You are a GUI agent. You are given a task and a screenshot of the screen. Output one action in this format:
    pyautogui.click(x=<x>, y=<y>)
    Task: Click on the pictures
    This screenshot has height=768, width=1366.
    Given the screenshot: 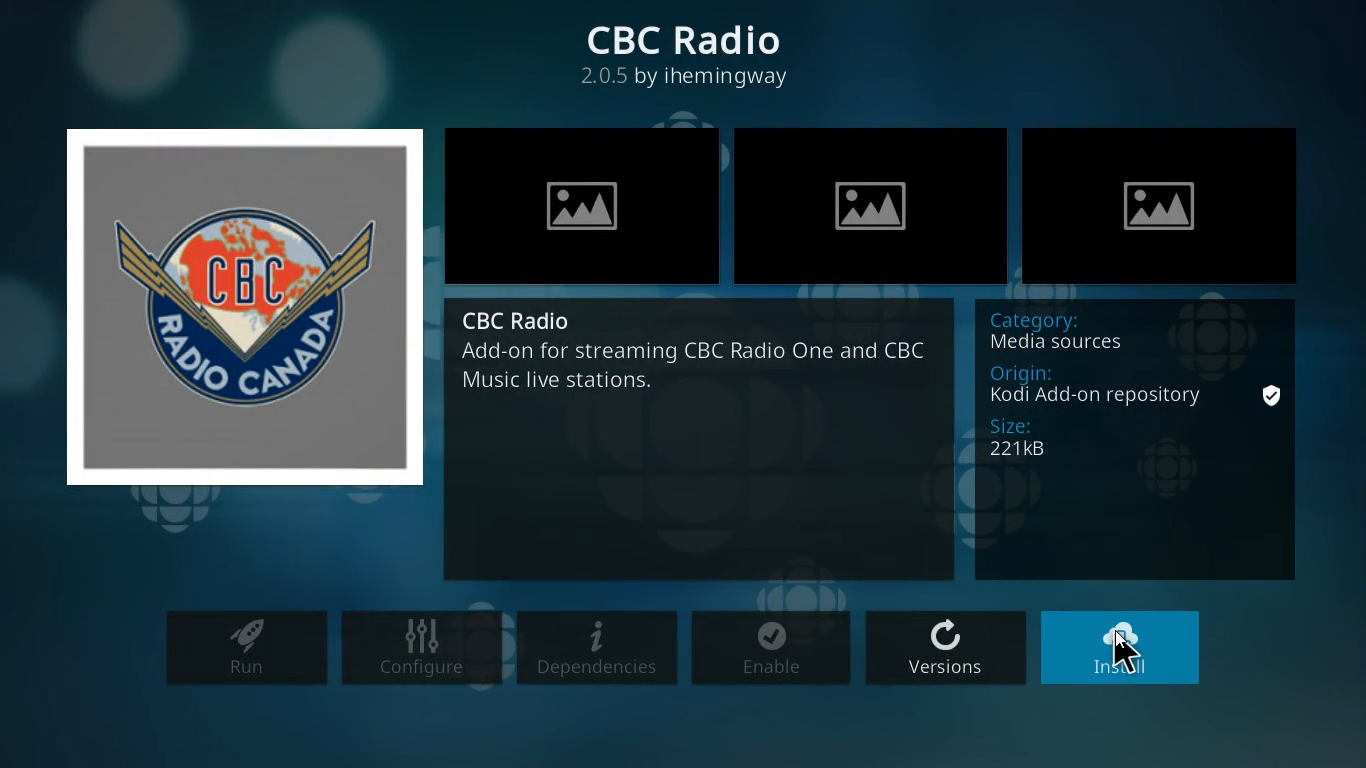 What is the action you would take?
    pyautogui.click(x=580, y=205)
    